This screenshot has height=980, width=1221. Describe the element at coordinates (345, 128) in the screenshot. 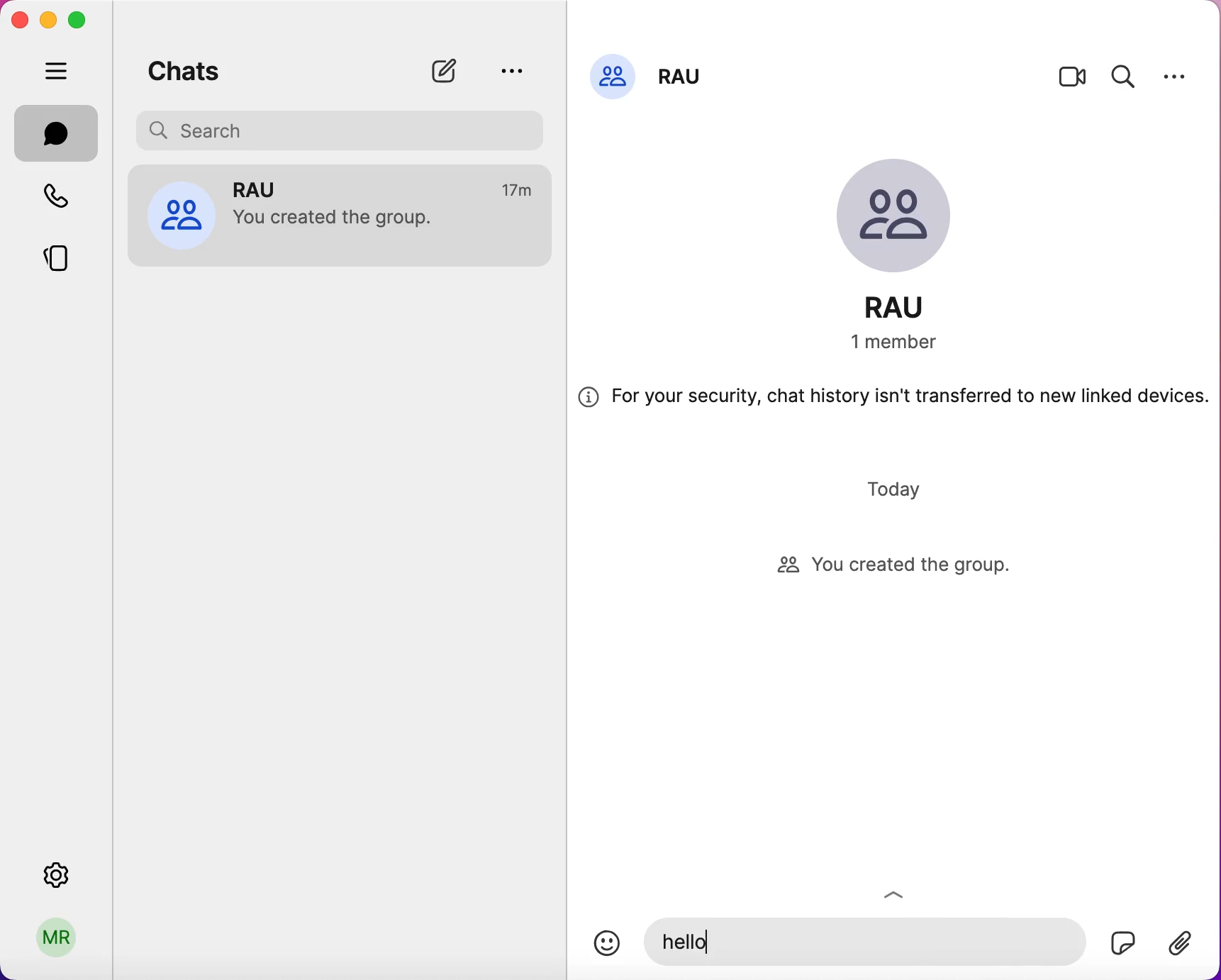

I see `search bar` at that location.